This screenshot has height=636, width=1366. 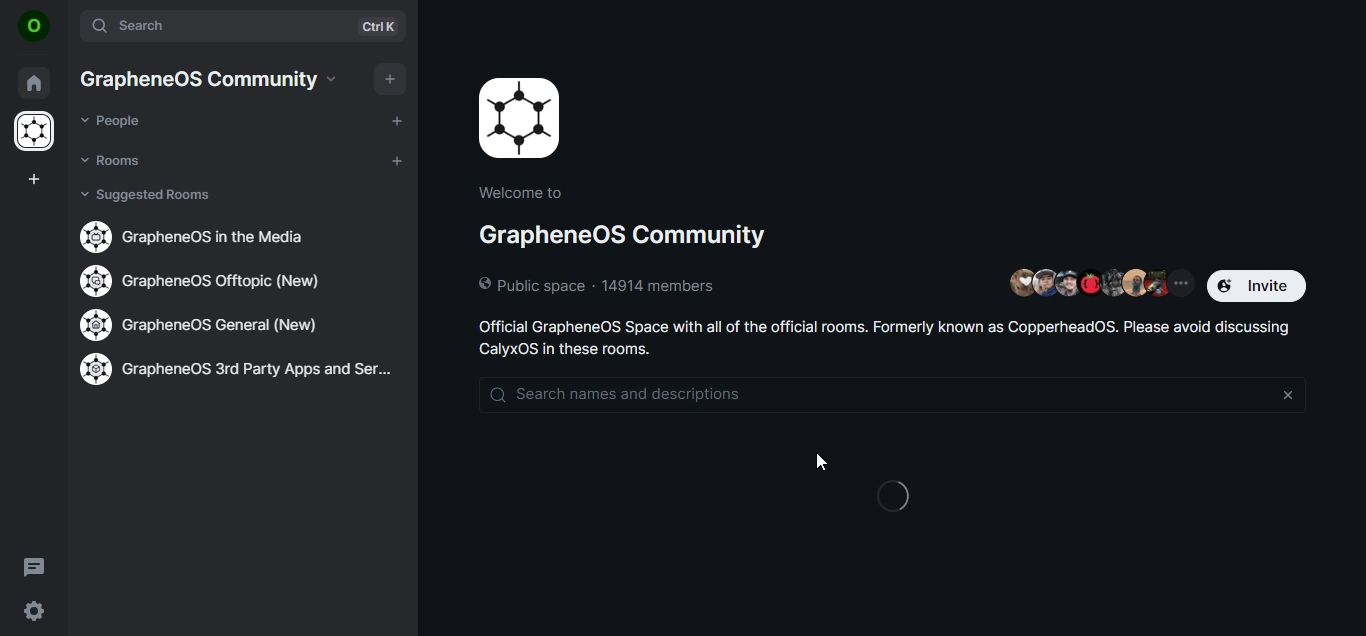 I want to click on icon, so click(x=34, y=27).